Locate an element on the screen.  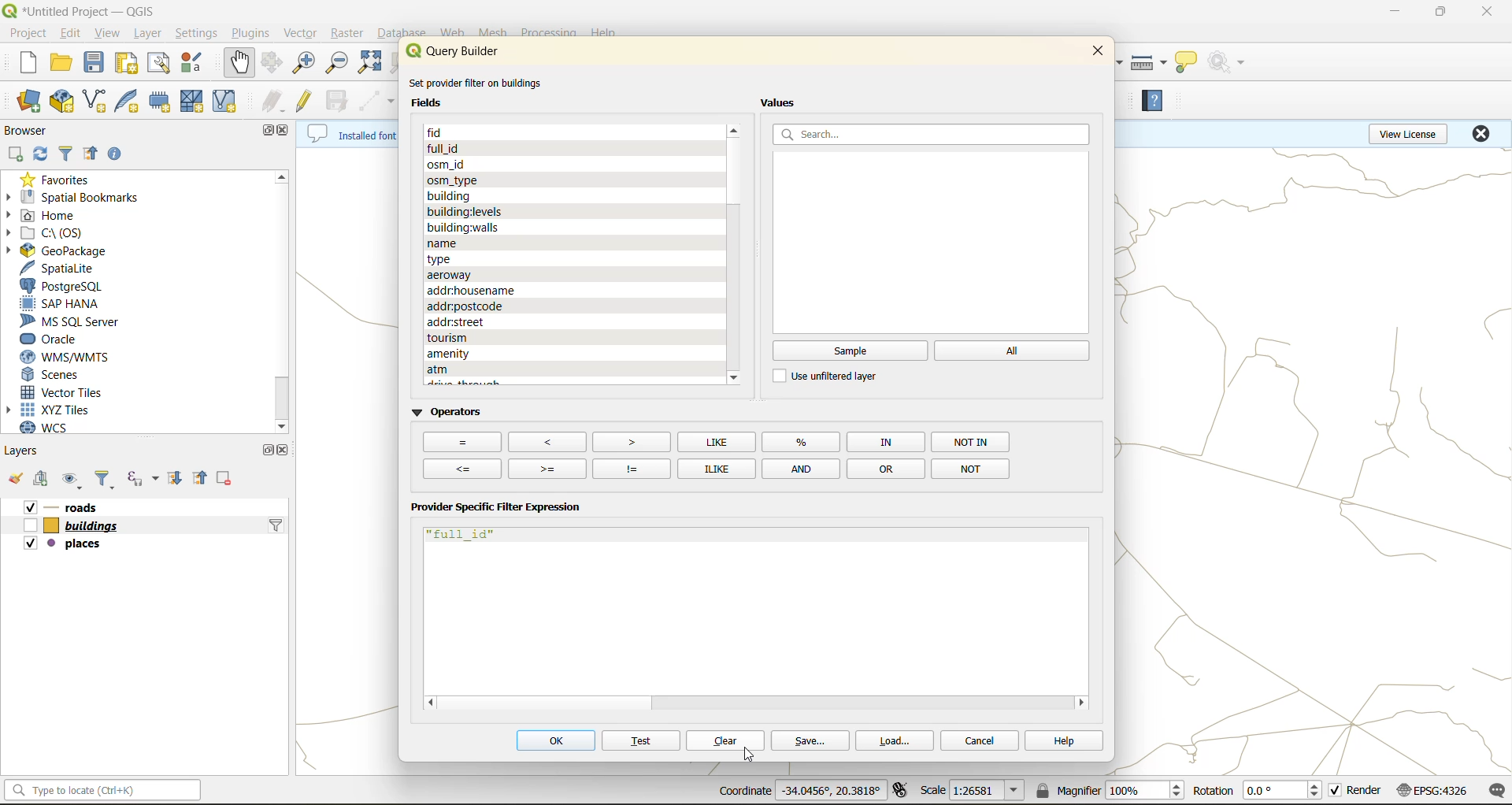
sap hana is located at coordinates (67, 304).